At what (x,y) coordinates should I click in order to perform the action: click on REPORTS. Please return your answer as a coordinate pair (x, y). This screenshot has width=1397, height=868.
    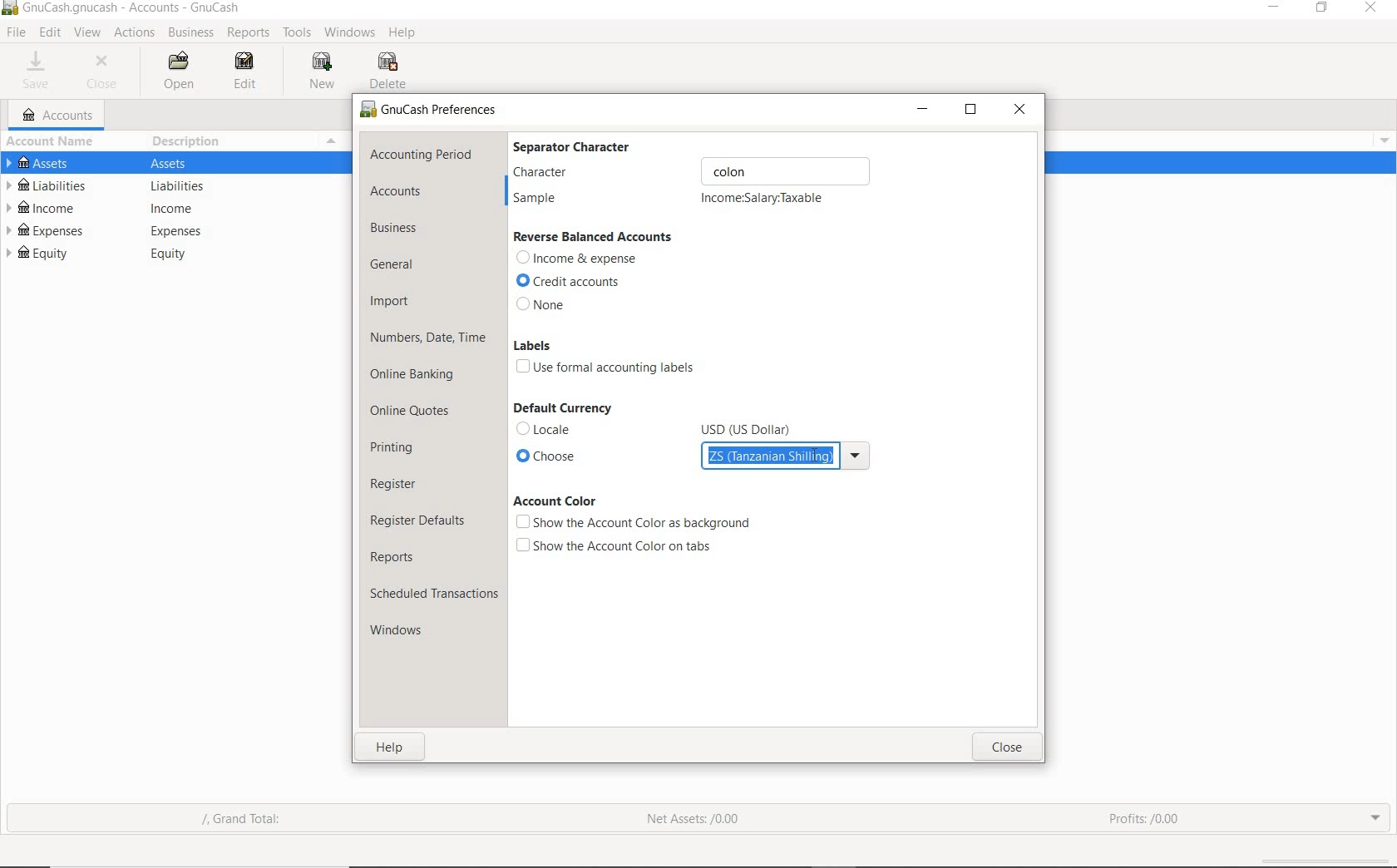
    Looking at the image, I should click on (249, 33).